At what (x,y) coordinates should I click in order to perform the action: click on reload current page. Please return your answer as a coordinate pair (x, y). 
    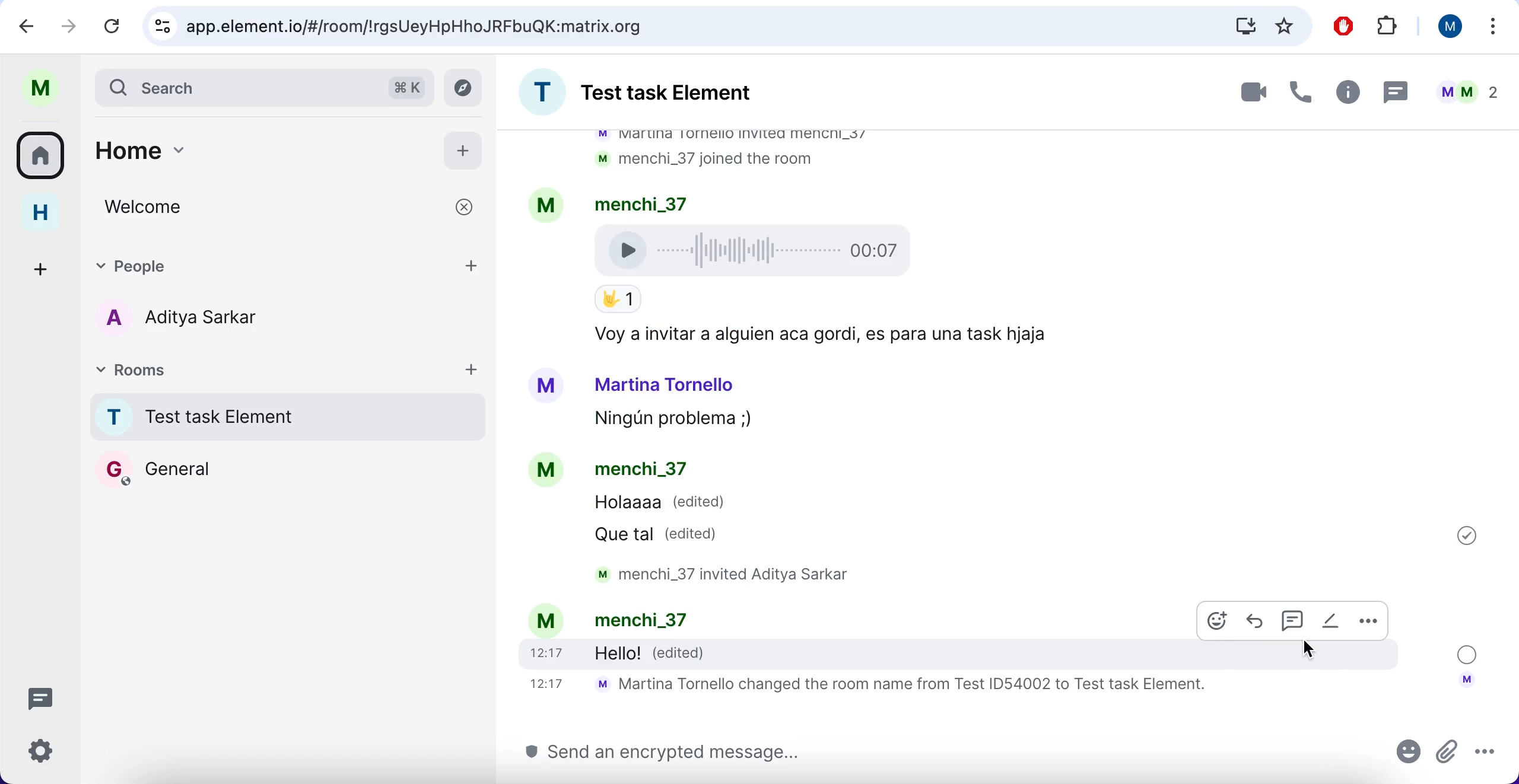
    Looking at the image, I should click on (117, 26).